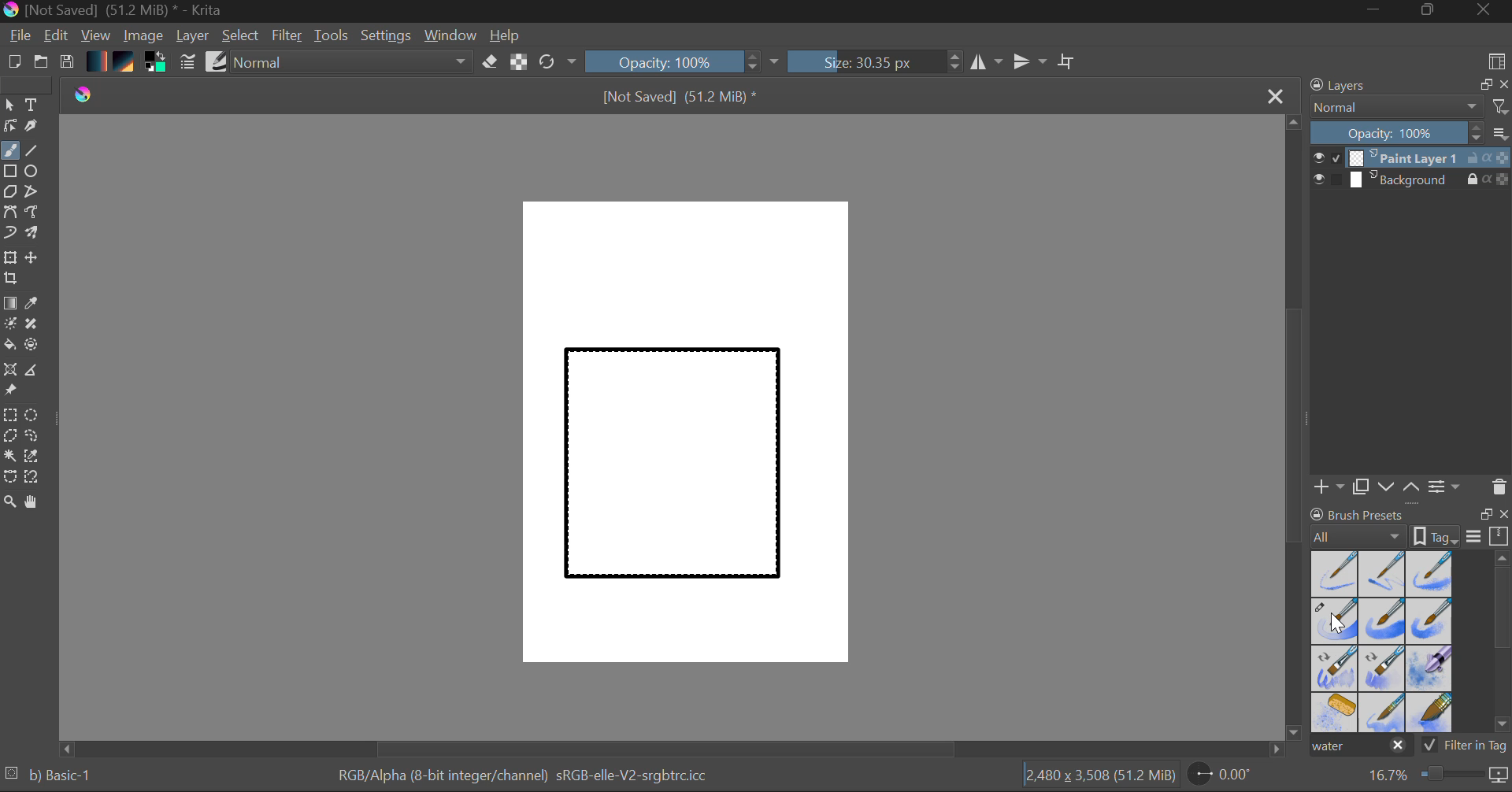 The width and height of the screenshot is (1512, 792). What do you see at coordinates (506, 35) in the screenshot?
I see `Help` at bounding box center [506, 35].